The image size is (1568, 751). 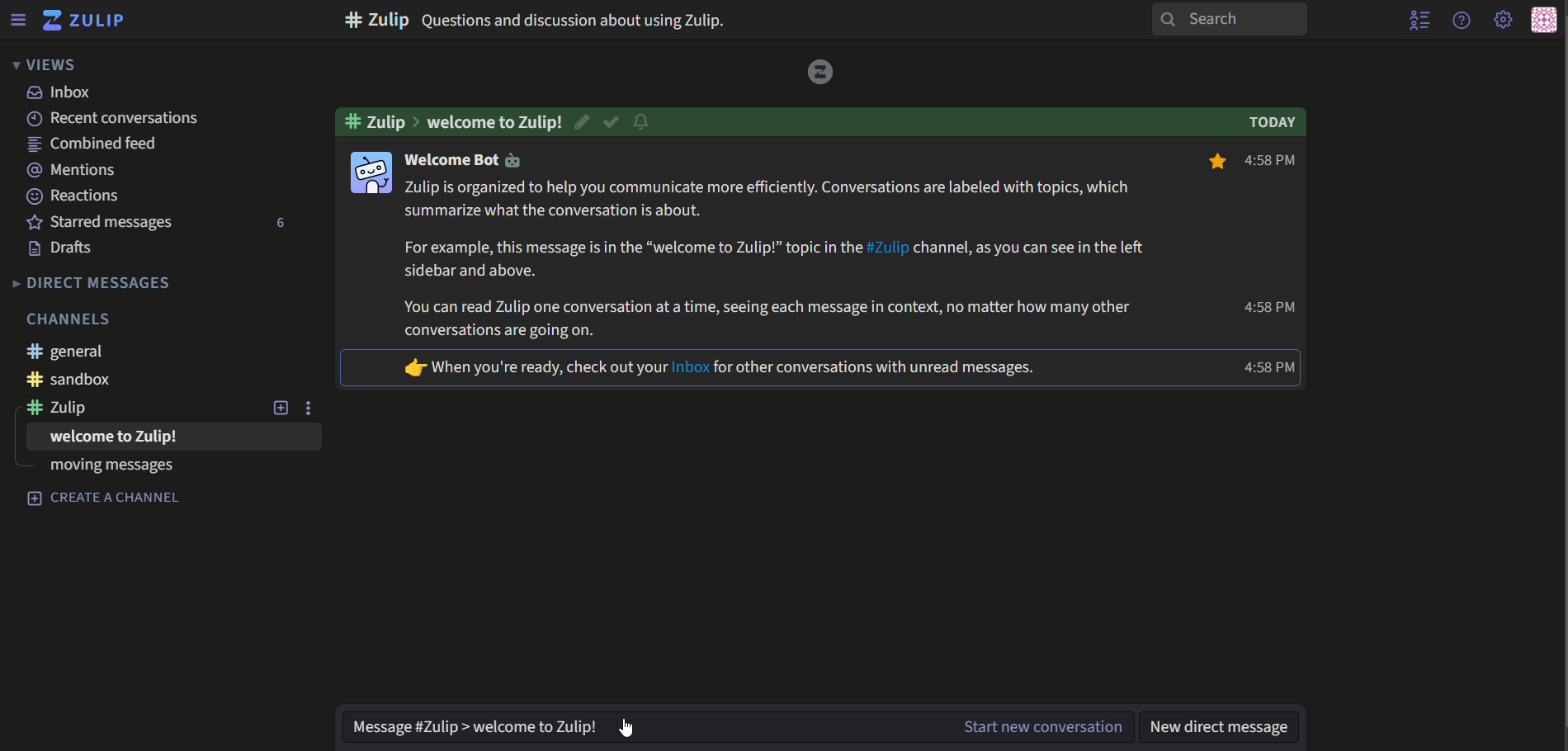 What do you see at coordinates (1213, 163) in the screenshot?
I see `bookmark` at bounding box center [1213, 163].